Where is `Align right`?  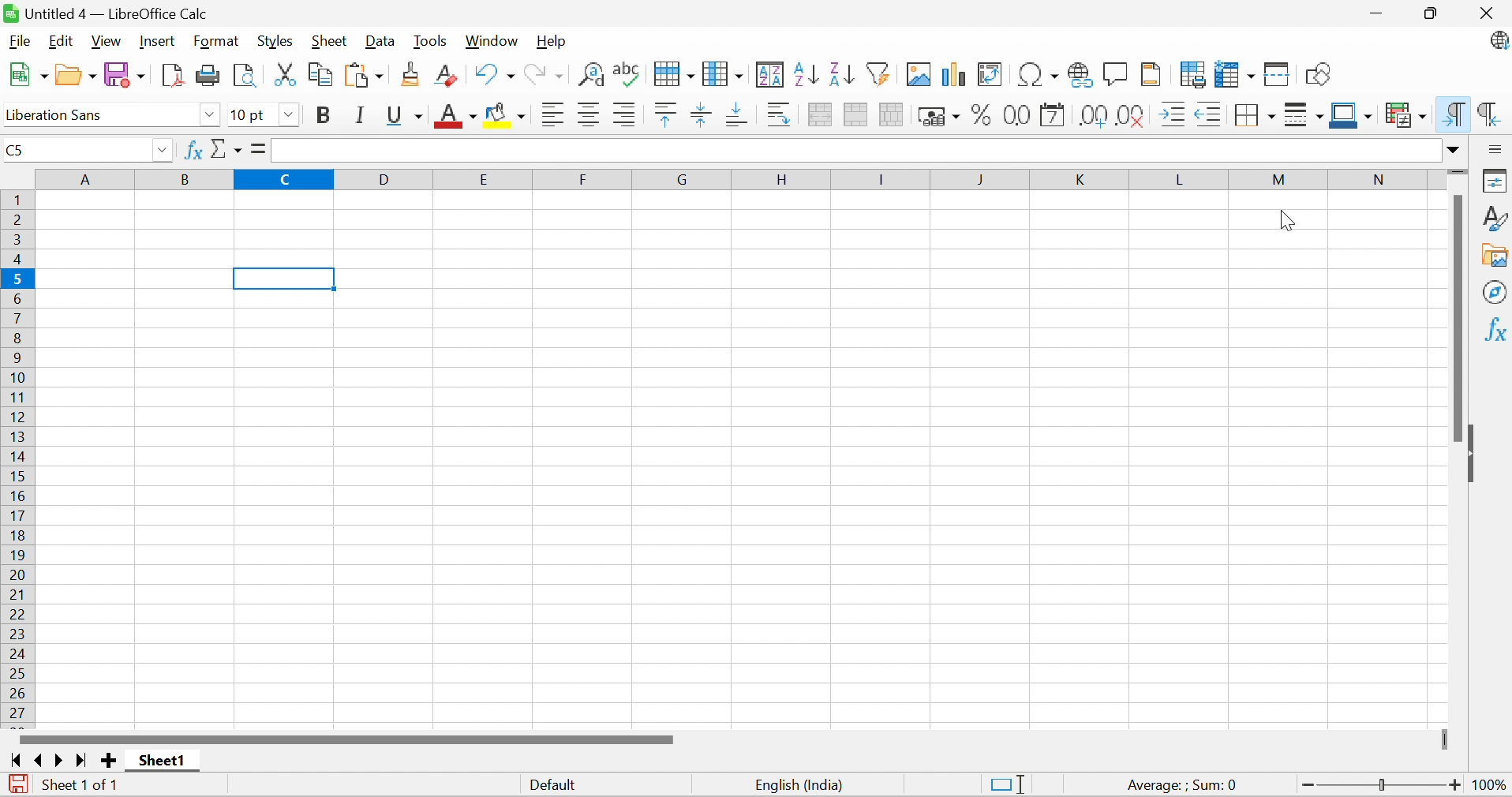
Align right is located at coordinates (625, 116).